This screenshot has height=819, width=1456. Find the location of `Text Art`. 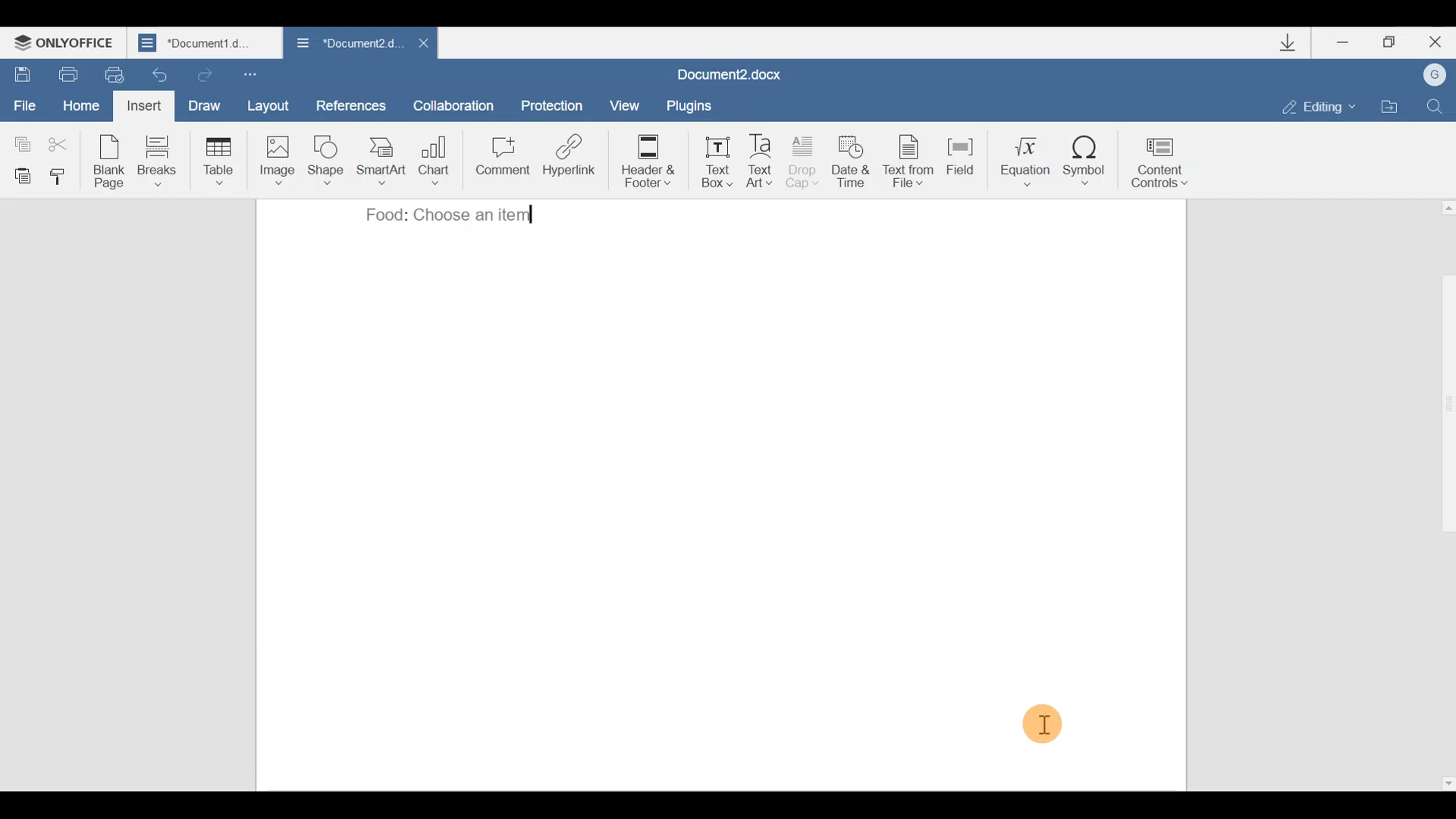

Text Art is located at coordinates (764, 158).